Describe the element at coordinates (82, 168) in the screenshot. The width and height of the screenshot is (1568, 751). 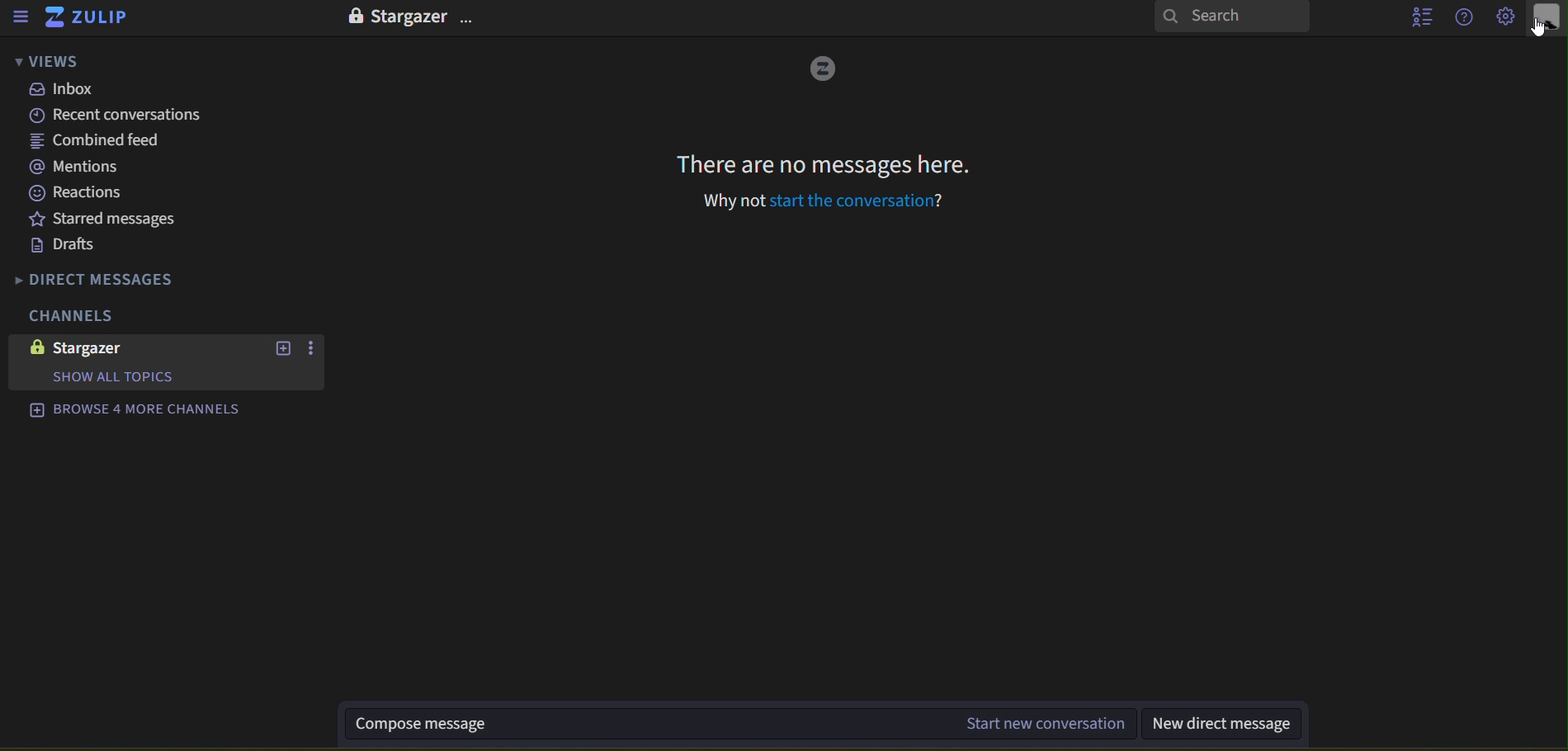
I see `mentions` at that location.